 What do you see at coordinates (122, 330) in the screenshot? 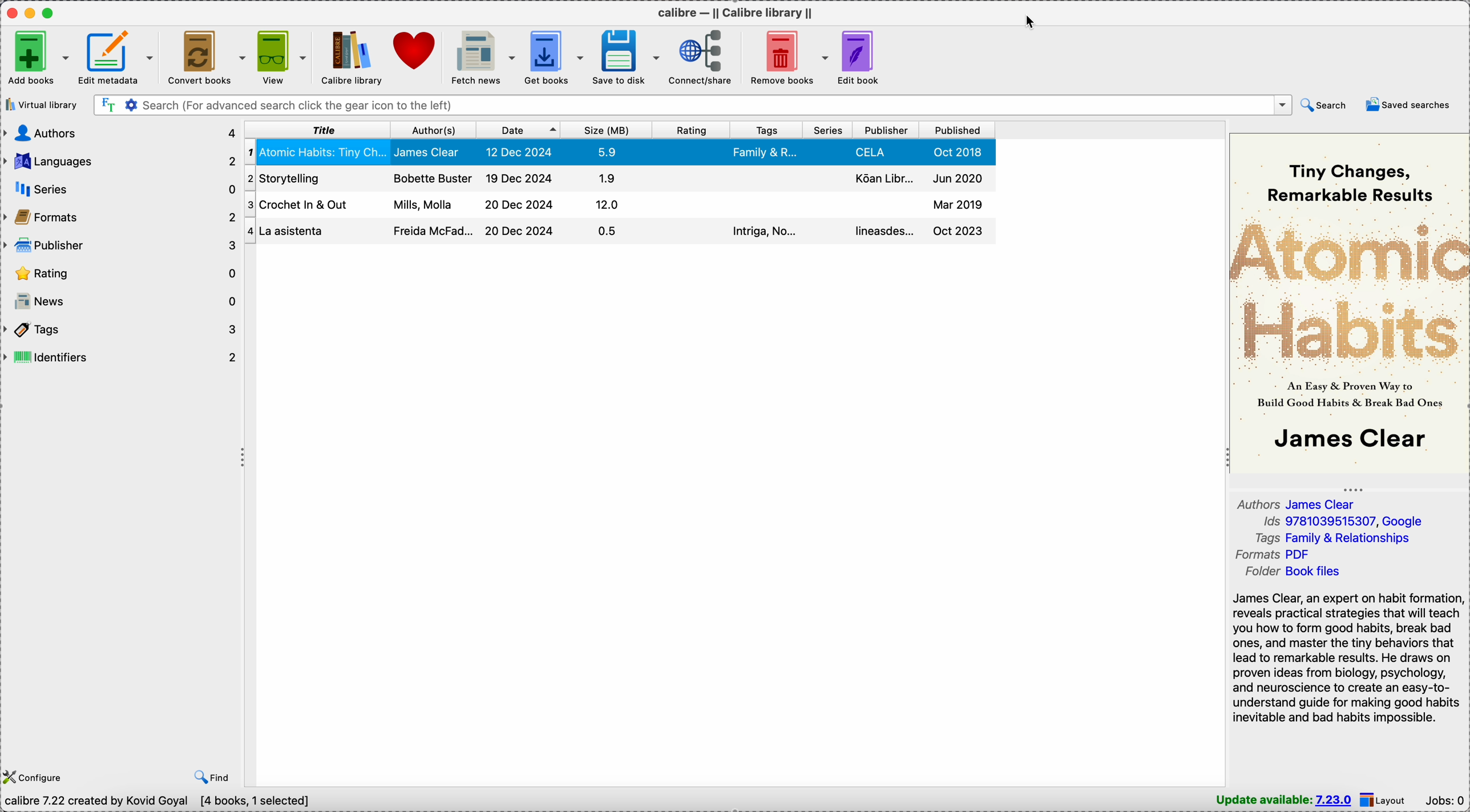
I see `tags` at bounding box center [122, 330].